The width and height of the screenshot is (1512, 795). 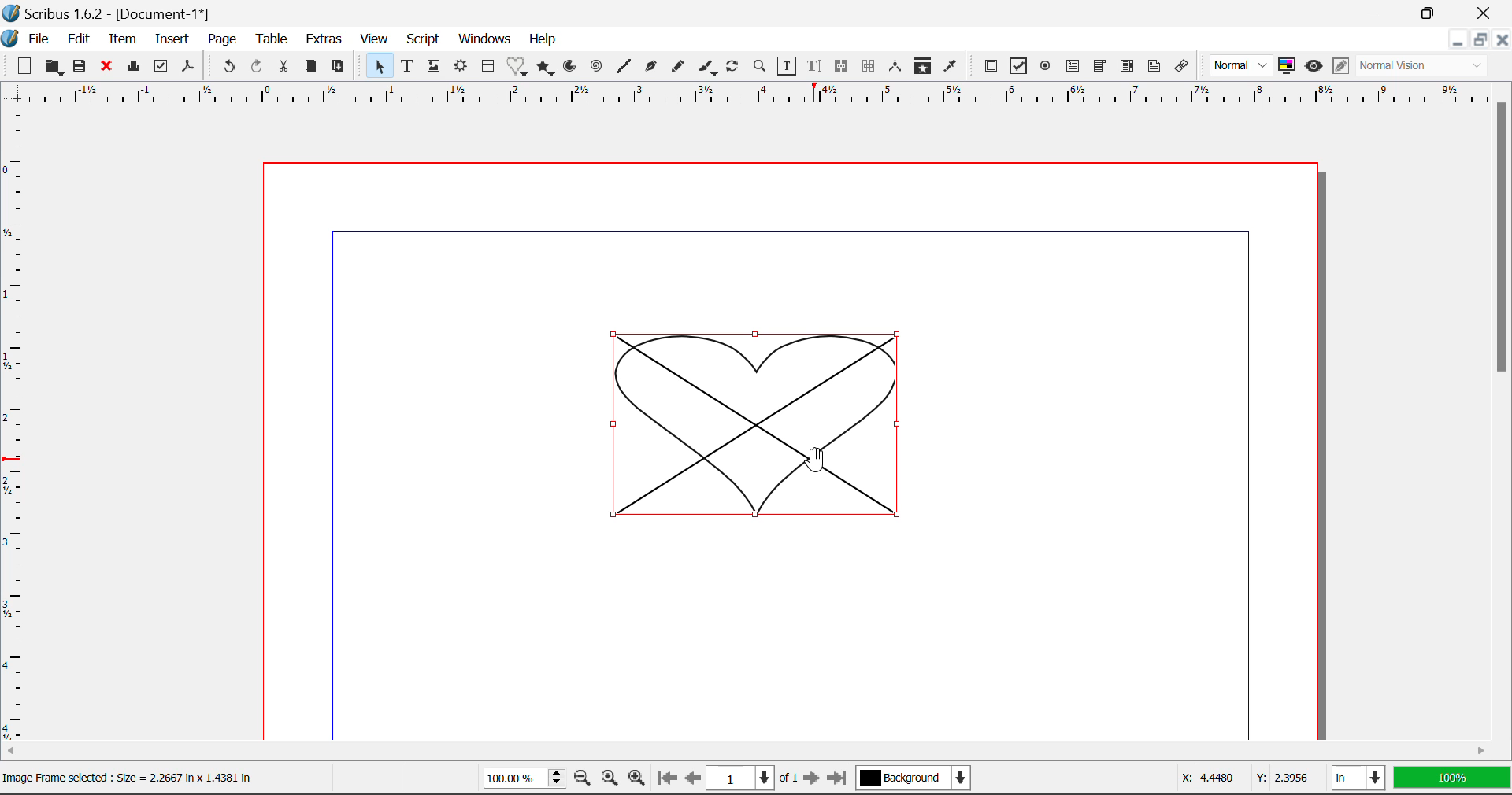 What do you see at coordinates (520, 780) in the screenshot?
I see `100%` at bounding box center [520, 780].